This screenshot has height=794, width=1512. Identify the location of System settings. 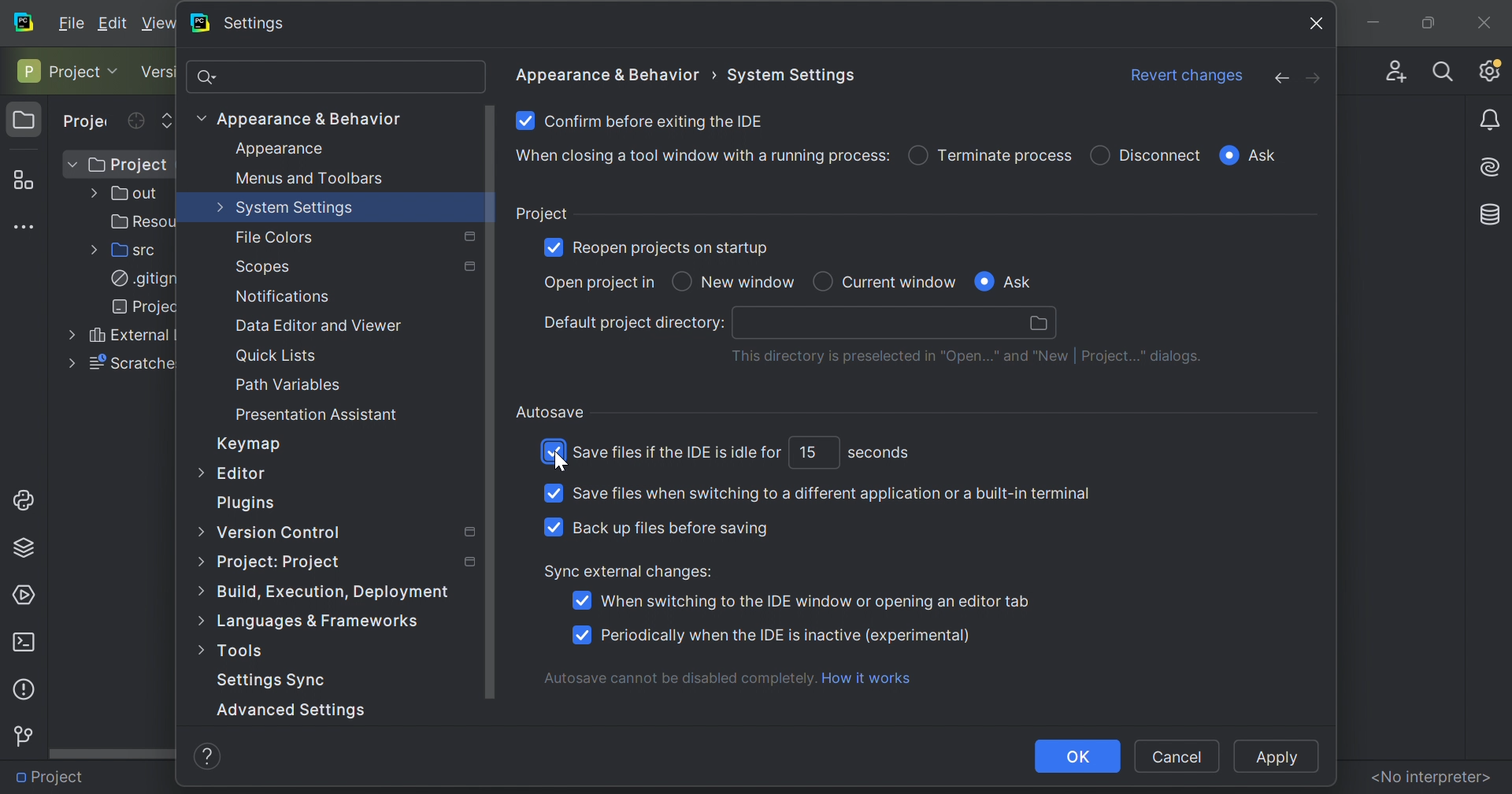
(297, 209).